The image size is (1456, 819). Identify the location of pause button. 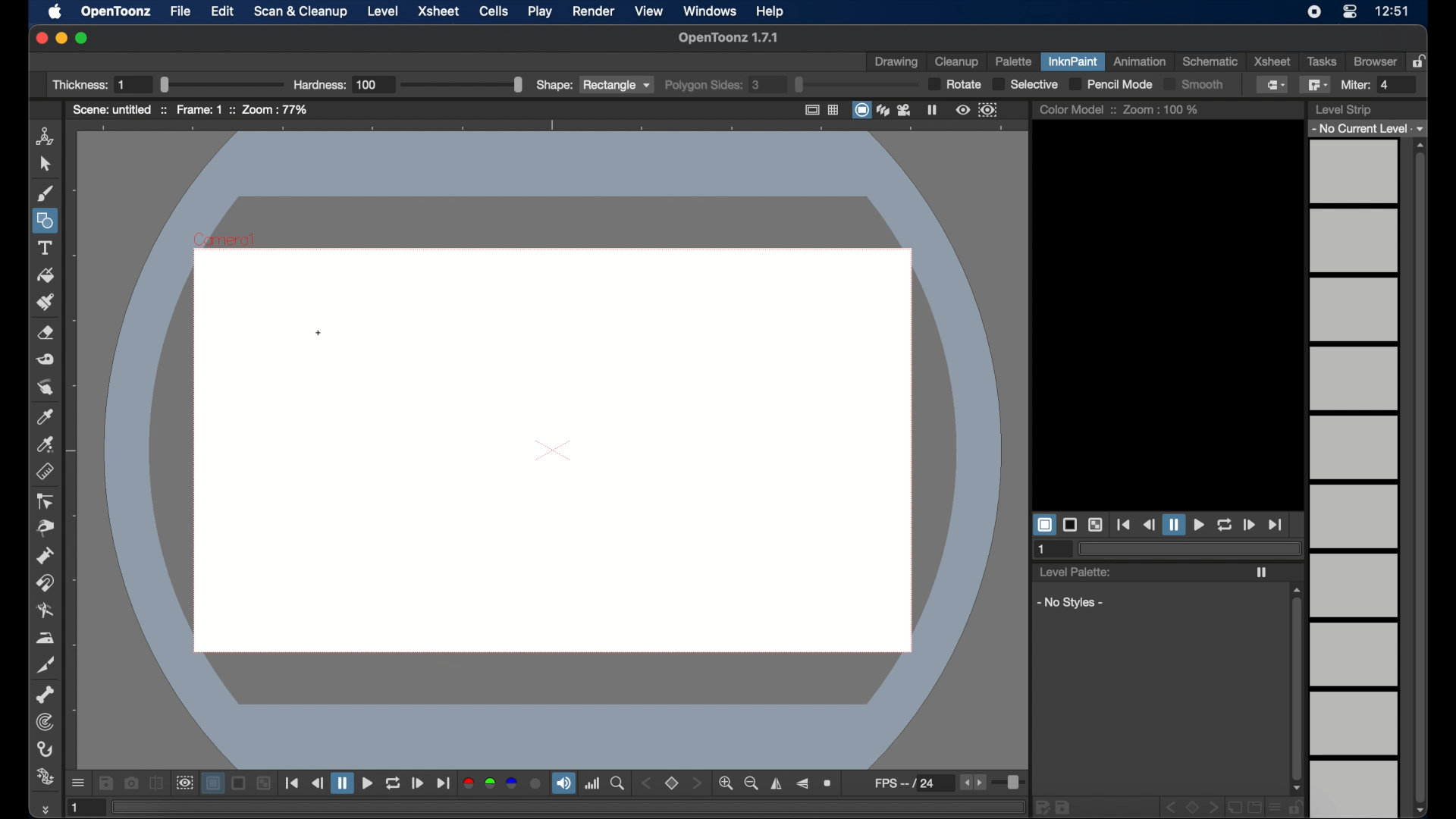
(342, 783).